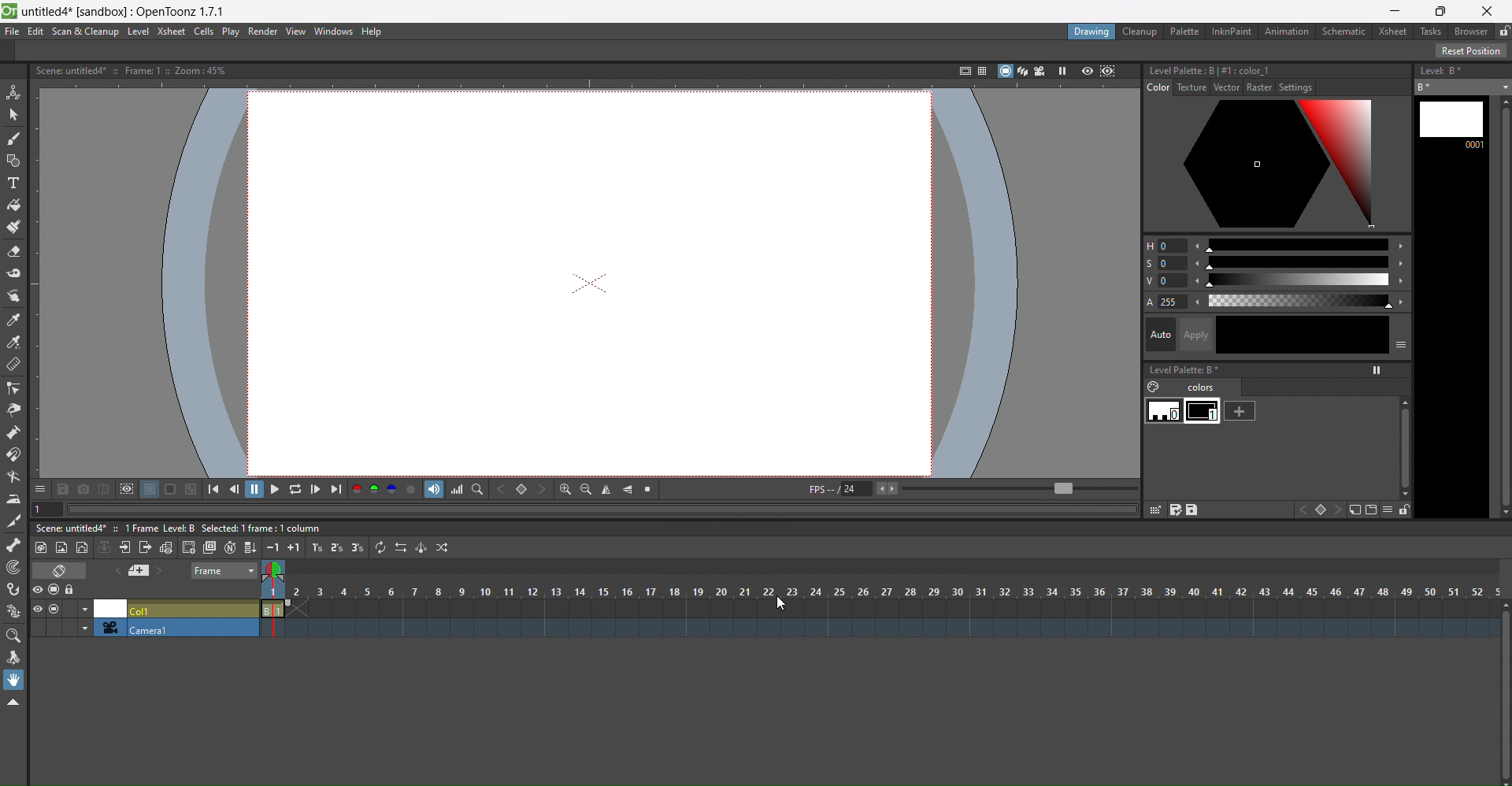 The height and width of the screenshot is (786, 1512). I want to click on V, so click(1299, 280).